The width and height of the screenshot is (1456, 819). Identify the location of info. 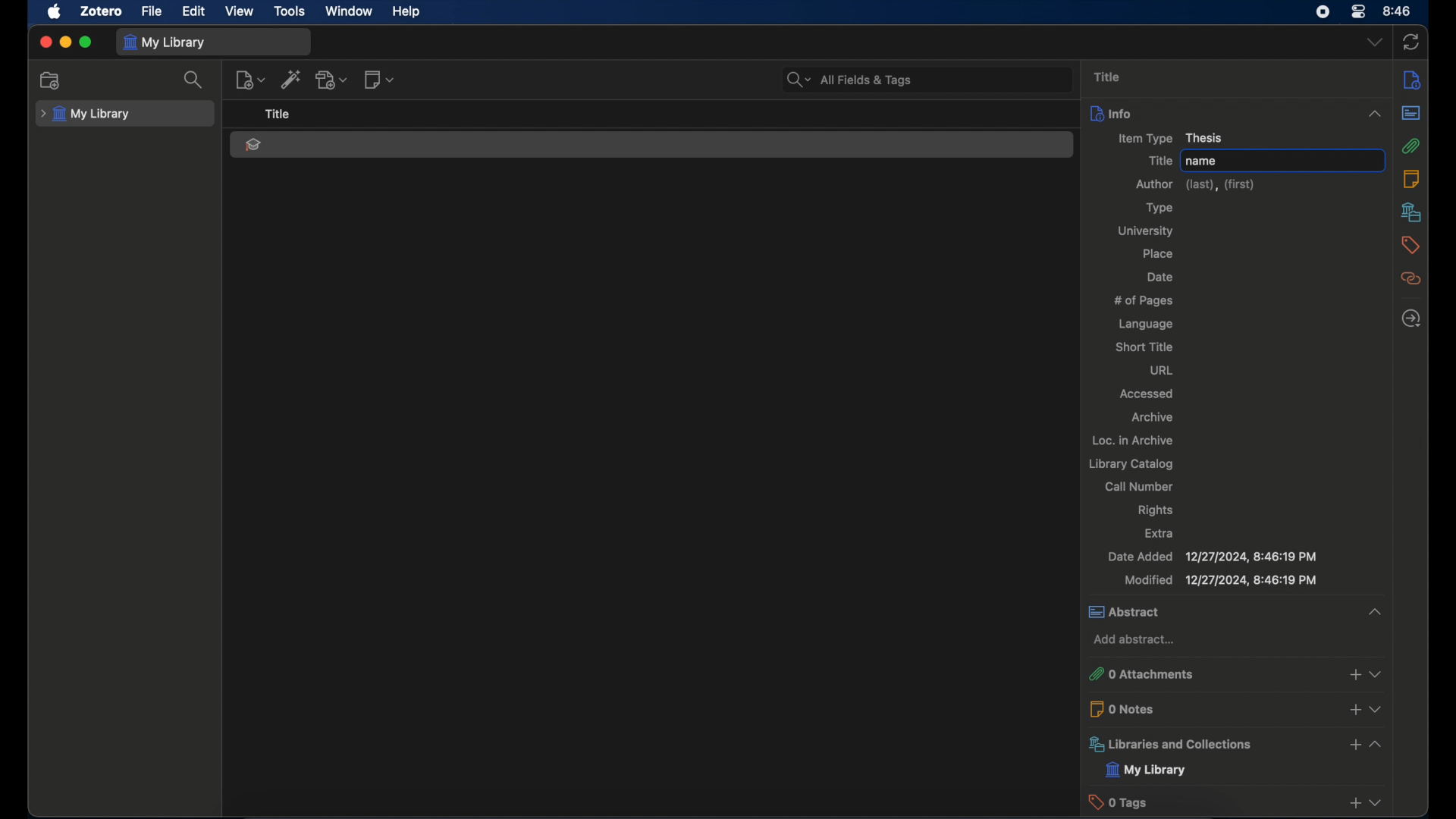
(1414, 80).